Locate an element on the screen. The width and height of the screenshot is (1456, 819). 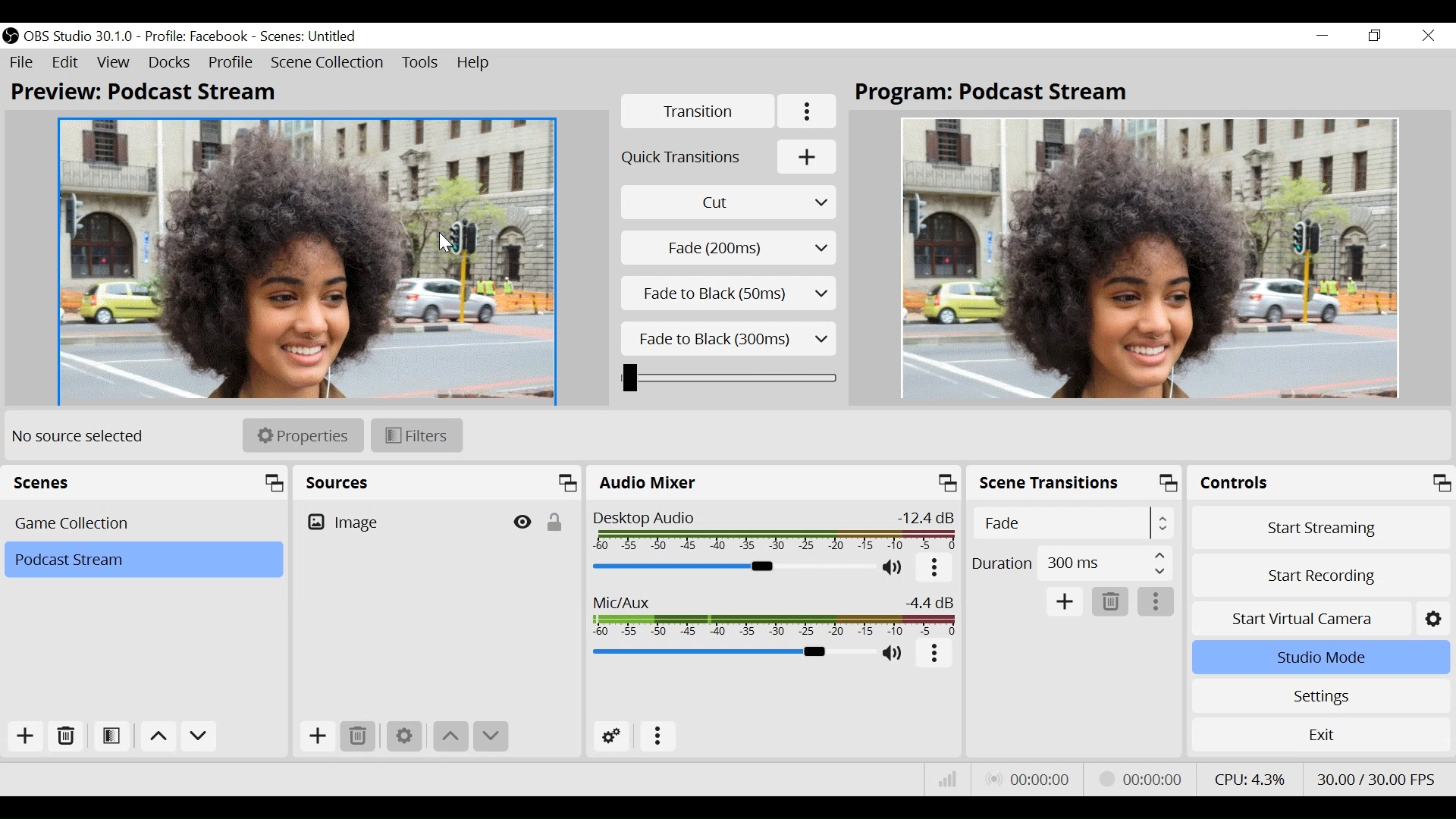
Mic Slider is located at coordinates (730, 654).